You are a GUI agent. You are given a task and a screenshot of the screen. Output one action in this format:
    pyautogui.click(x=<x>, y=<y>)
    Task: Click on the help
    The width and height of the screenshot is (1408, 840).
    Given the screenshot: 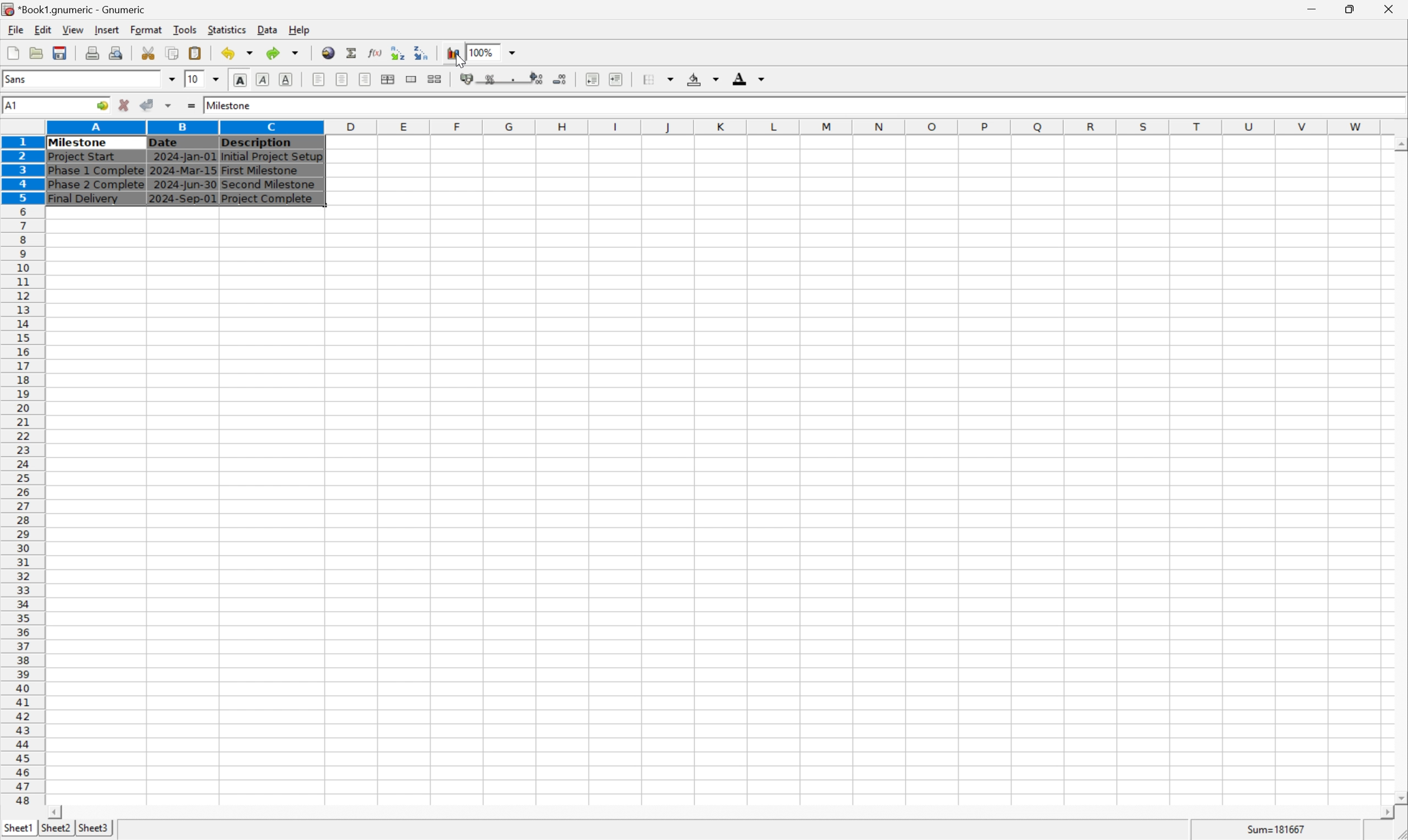 What is the action you would take?
    pyautogui.click(x=299, y=28)
    